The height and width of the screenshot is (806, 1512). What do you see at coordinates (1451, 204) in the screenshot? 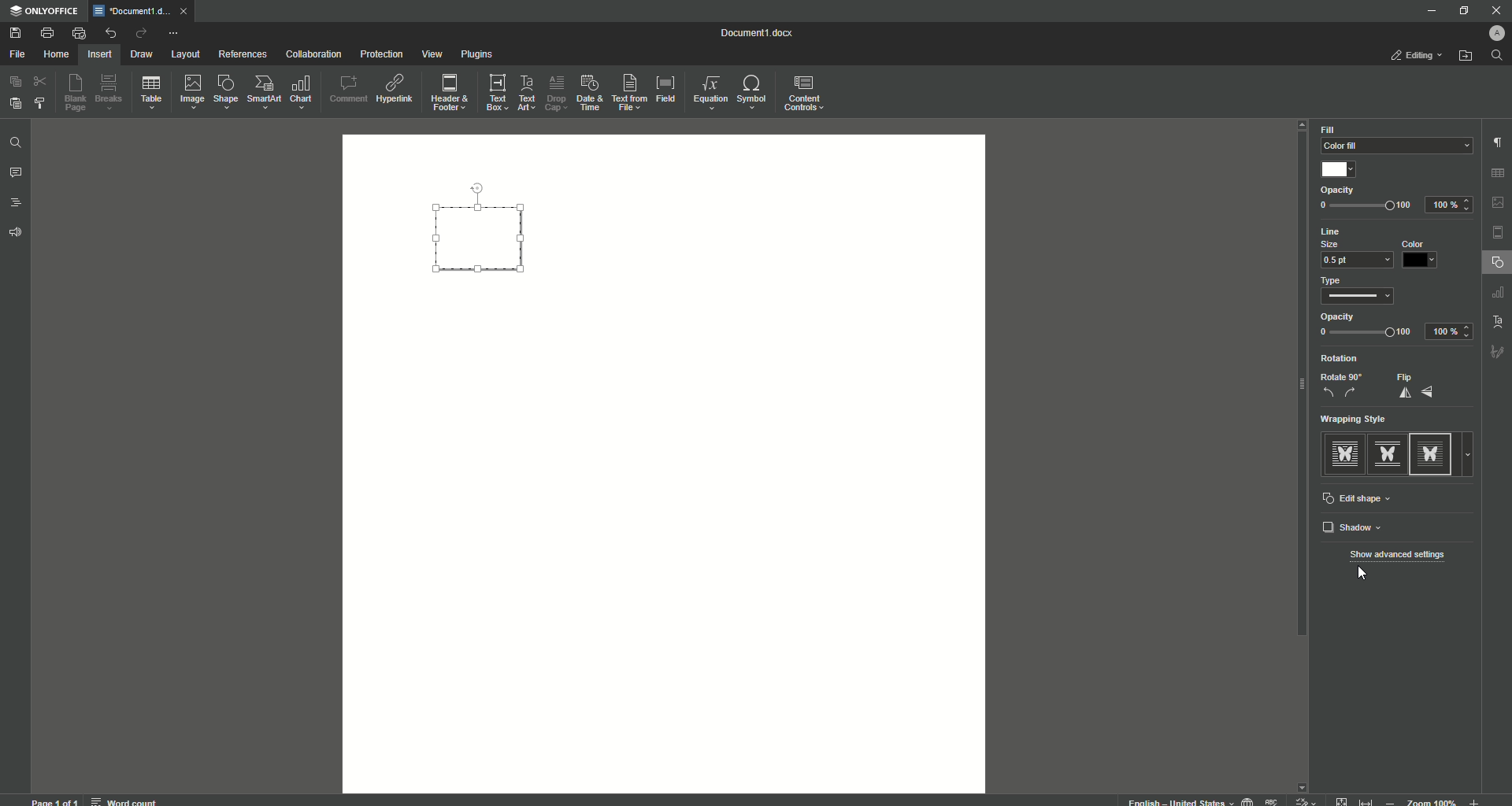
I see `100%` at bounding box center [1451, 204].